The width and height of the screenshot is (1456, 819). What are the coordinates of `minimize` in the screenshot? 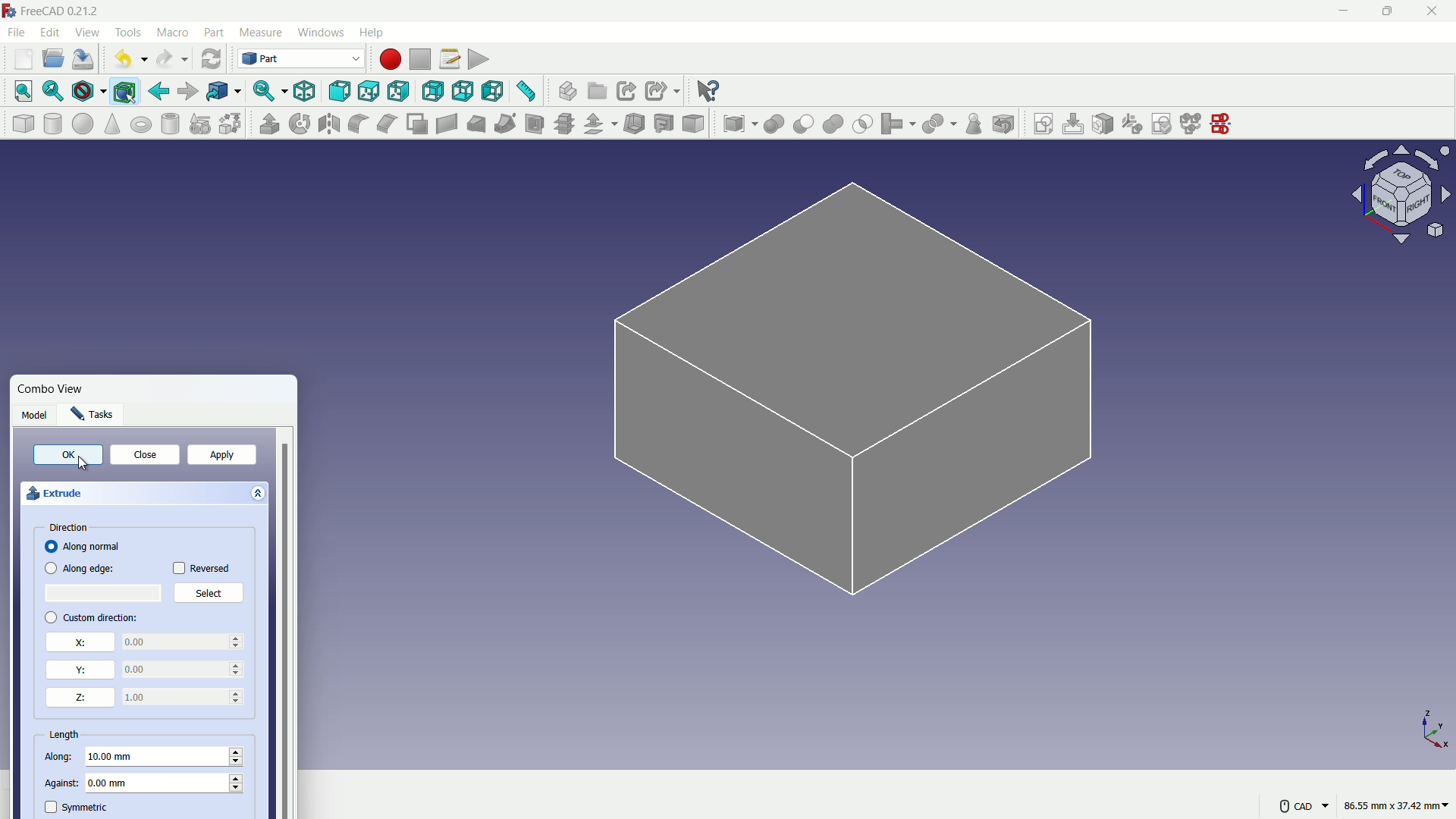 It's located at (1346, 11).